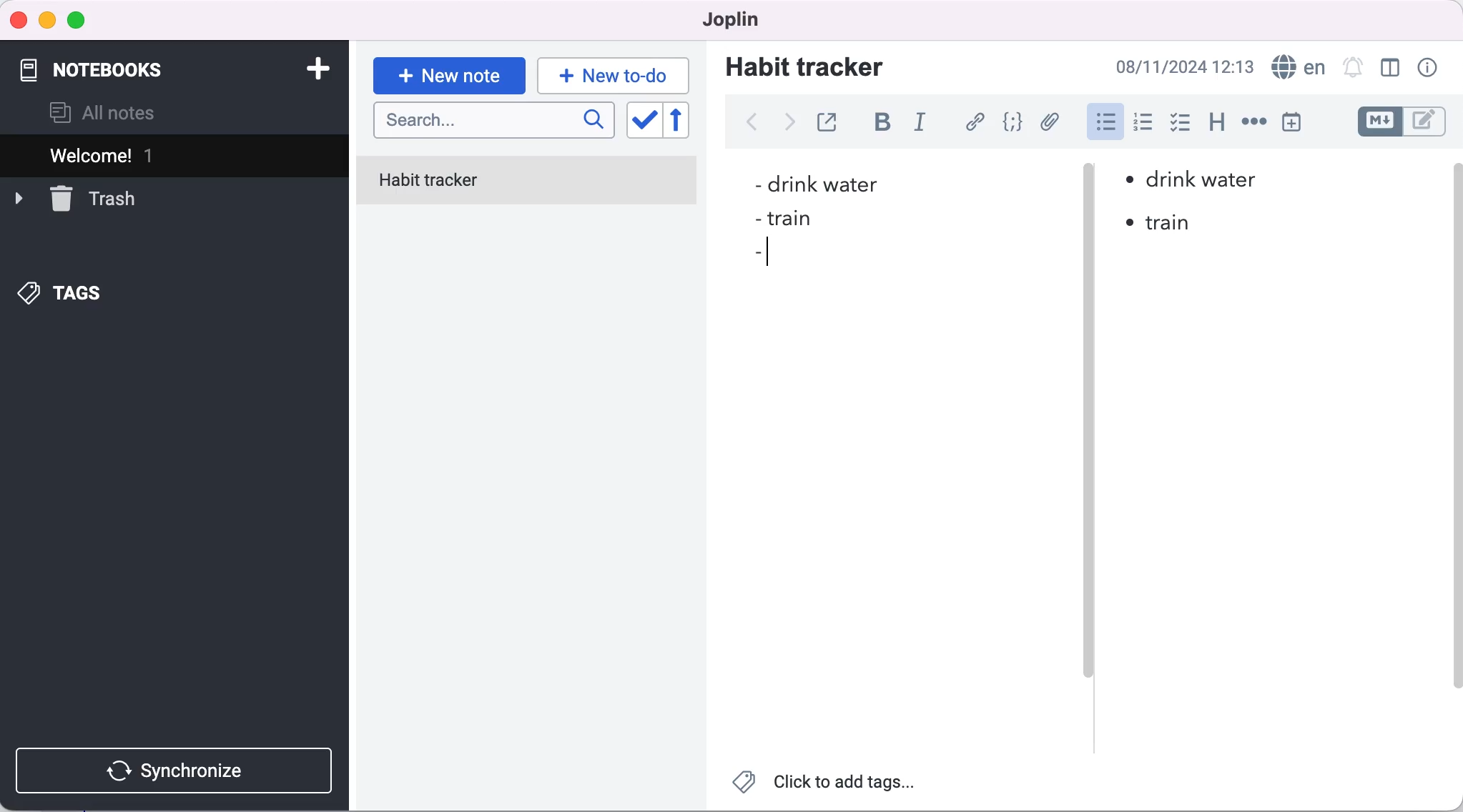 The height and width of the screenshot is (812, 1463). I want to click on bold, so click(888, 124).